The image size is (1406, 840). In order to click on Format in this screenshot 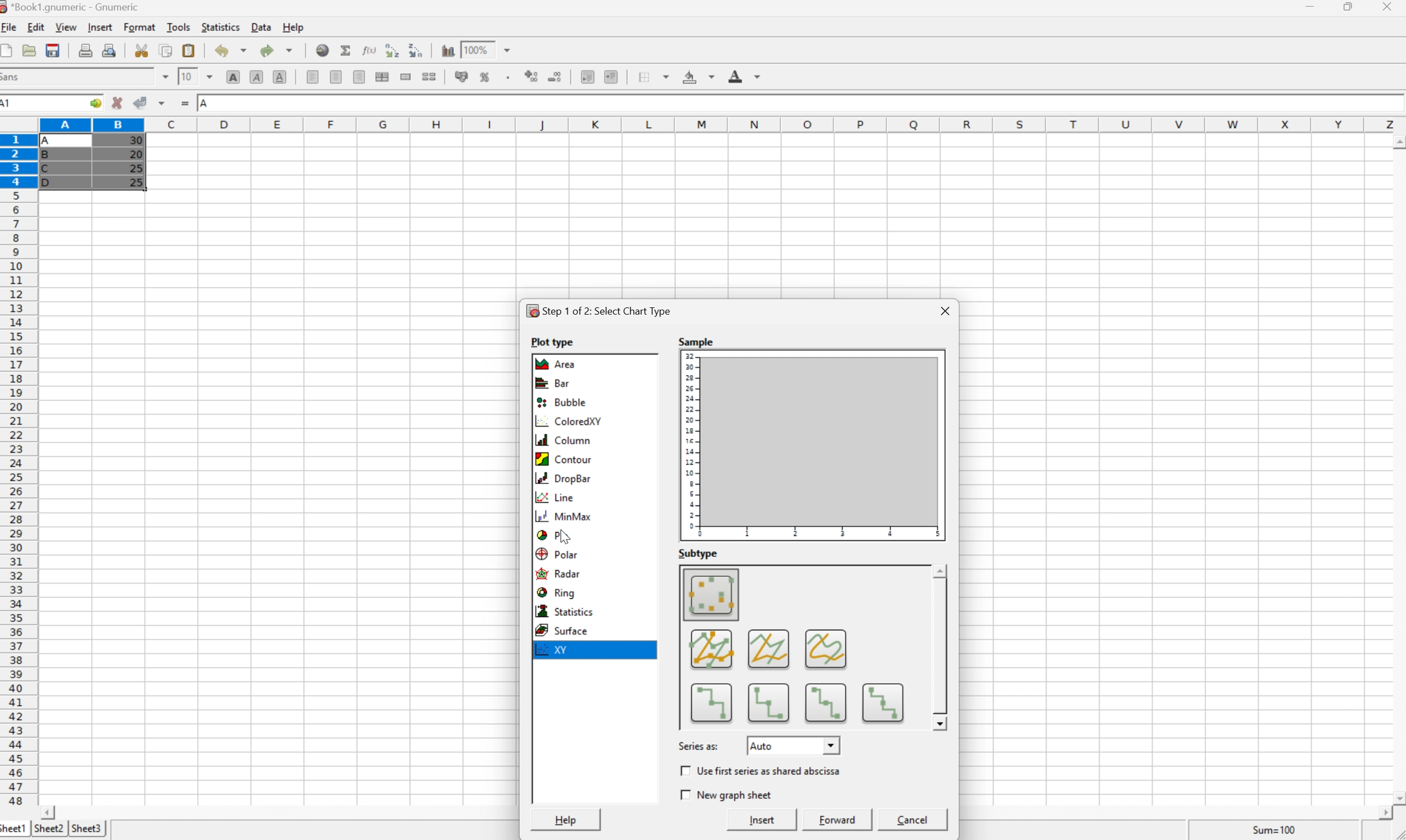, I will do `click(140, 28)`.